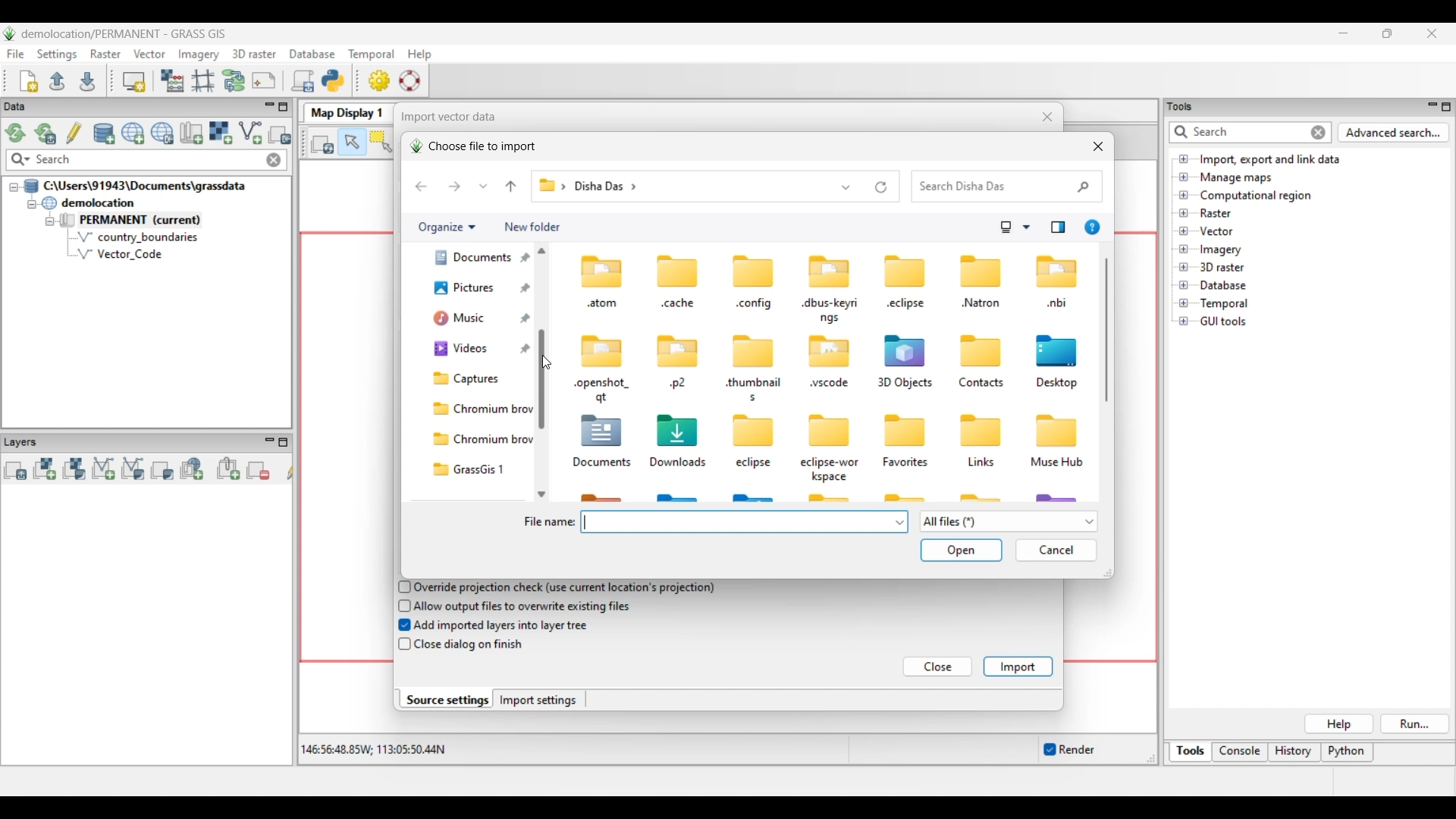 This screenshot has width=1456, height=819. What do you see at coordinates (598, 269) in the screenshot?
I see `icon` at bounding box center [598, 269].